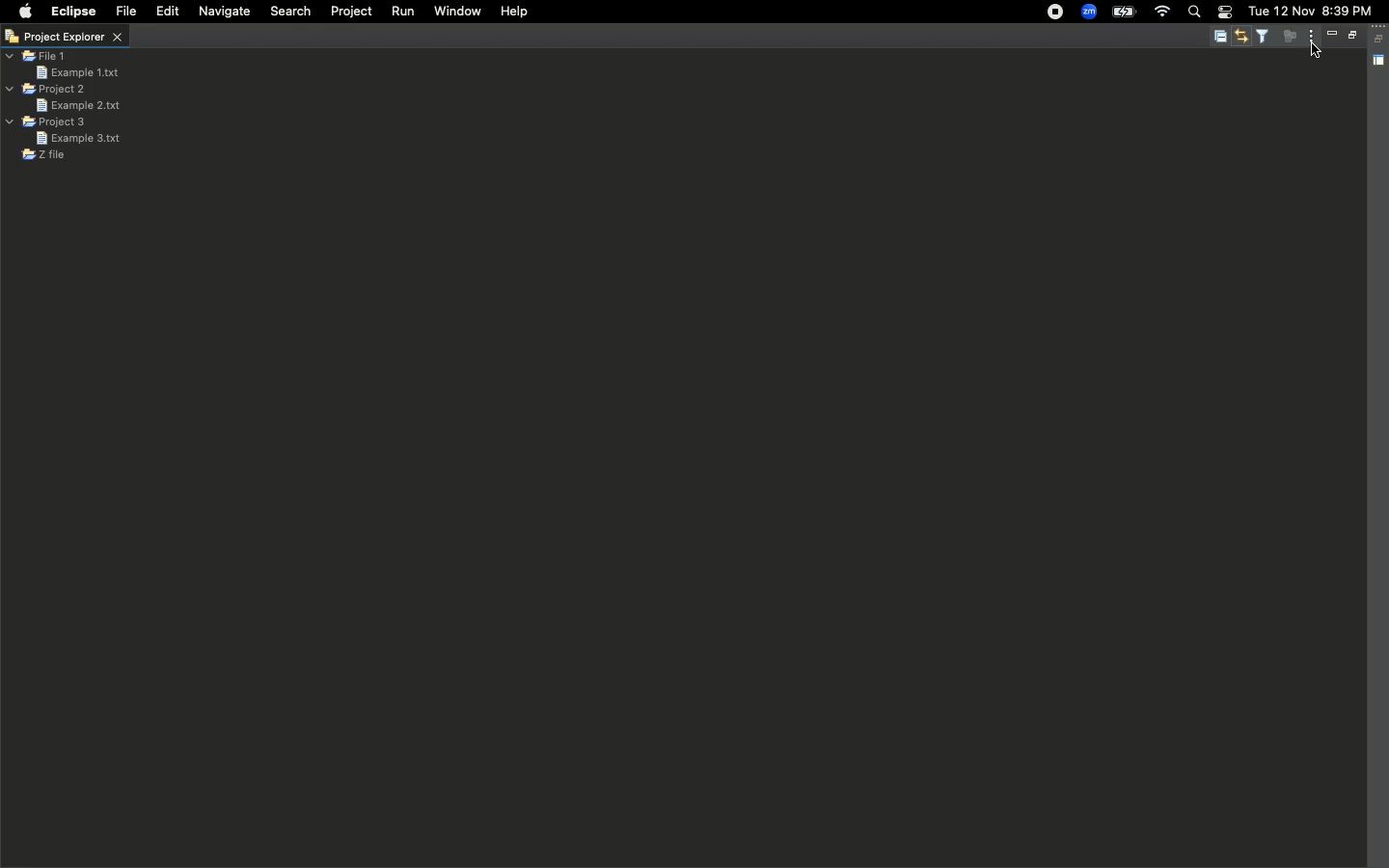 Image resolution: width=1389 pixels, height=868 pixels. What do you see at coordinates (78, 138) in the screenshot?
I see `Example 3.txt` at bounding box center [78, 138].